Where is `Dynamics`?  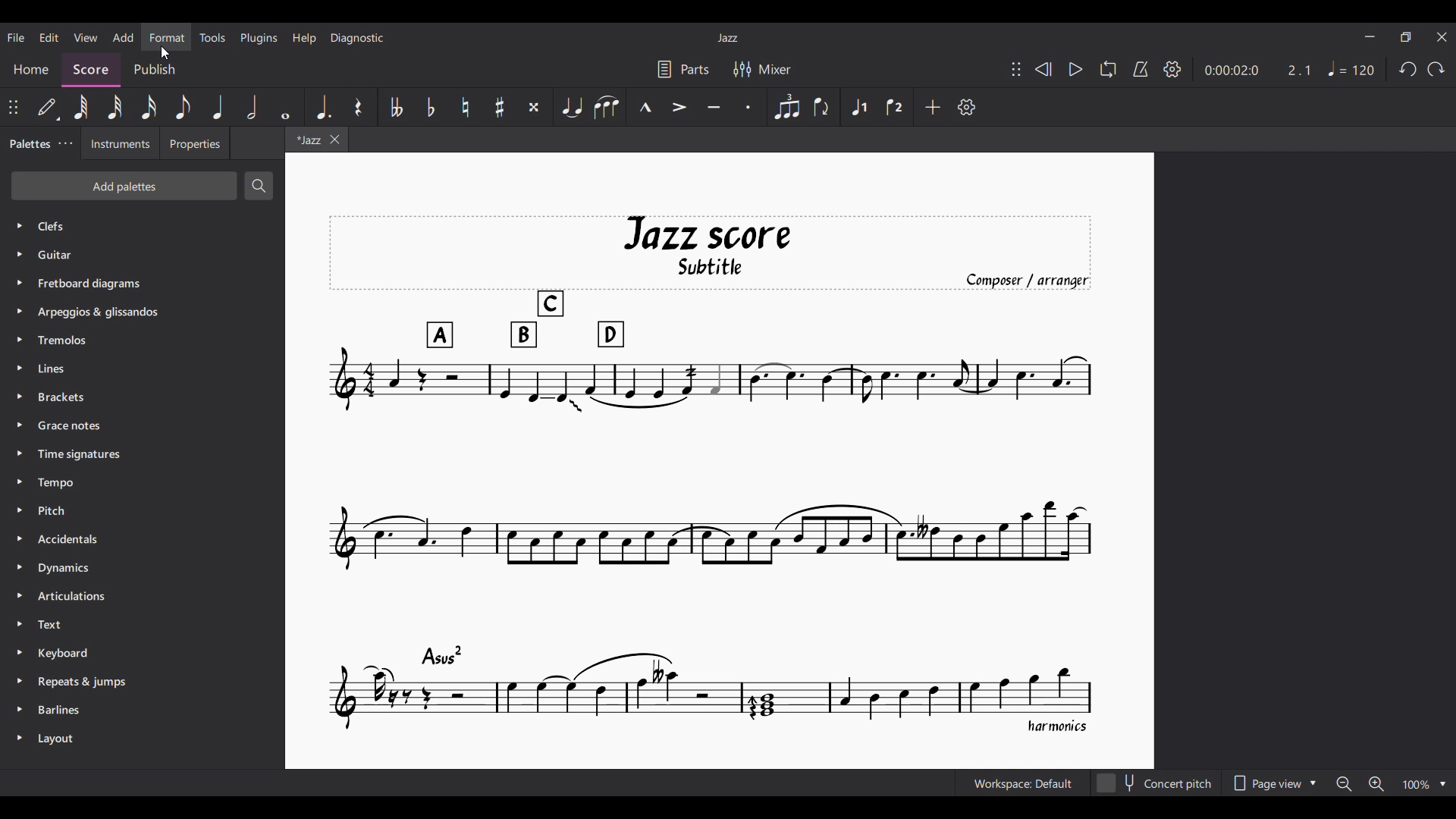 Dynamics is located at coordinates (67, 568).